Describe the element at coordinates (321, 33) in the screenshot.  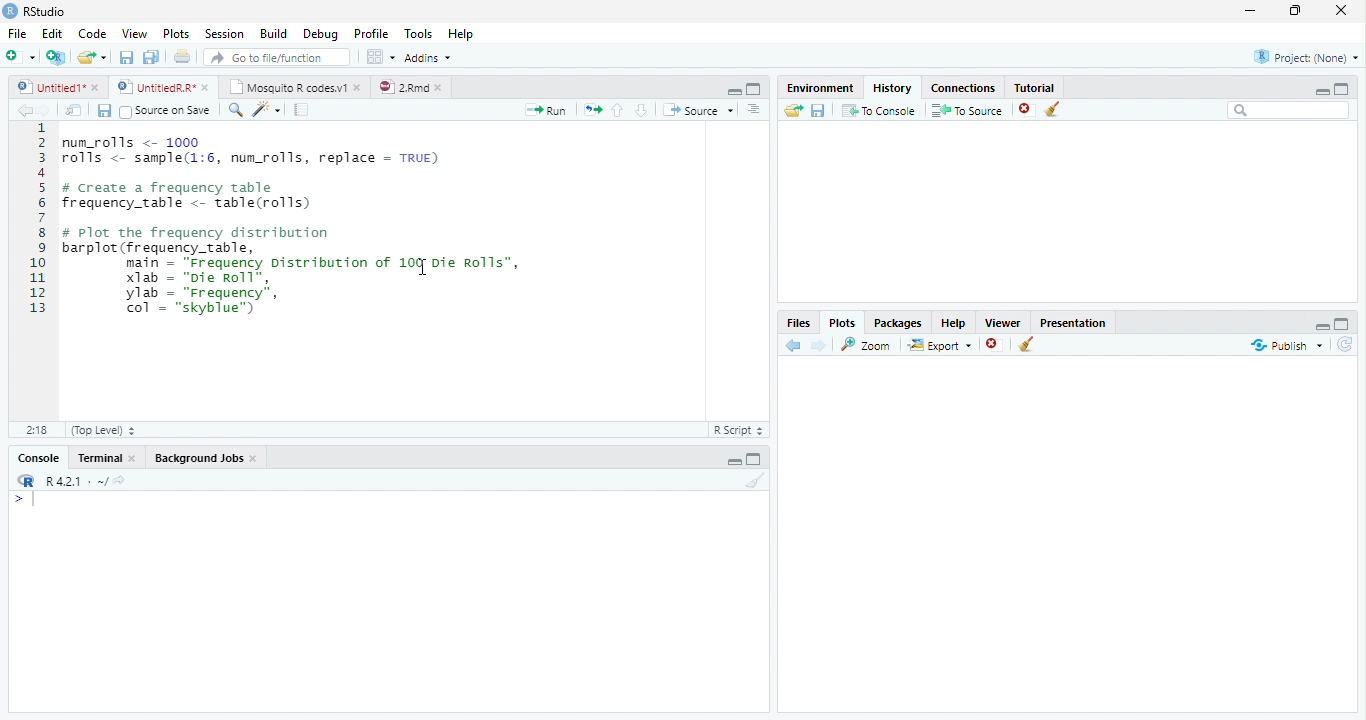
I see `Debug` at that location.